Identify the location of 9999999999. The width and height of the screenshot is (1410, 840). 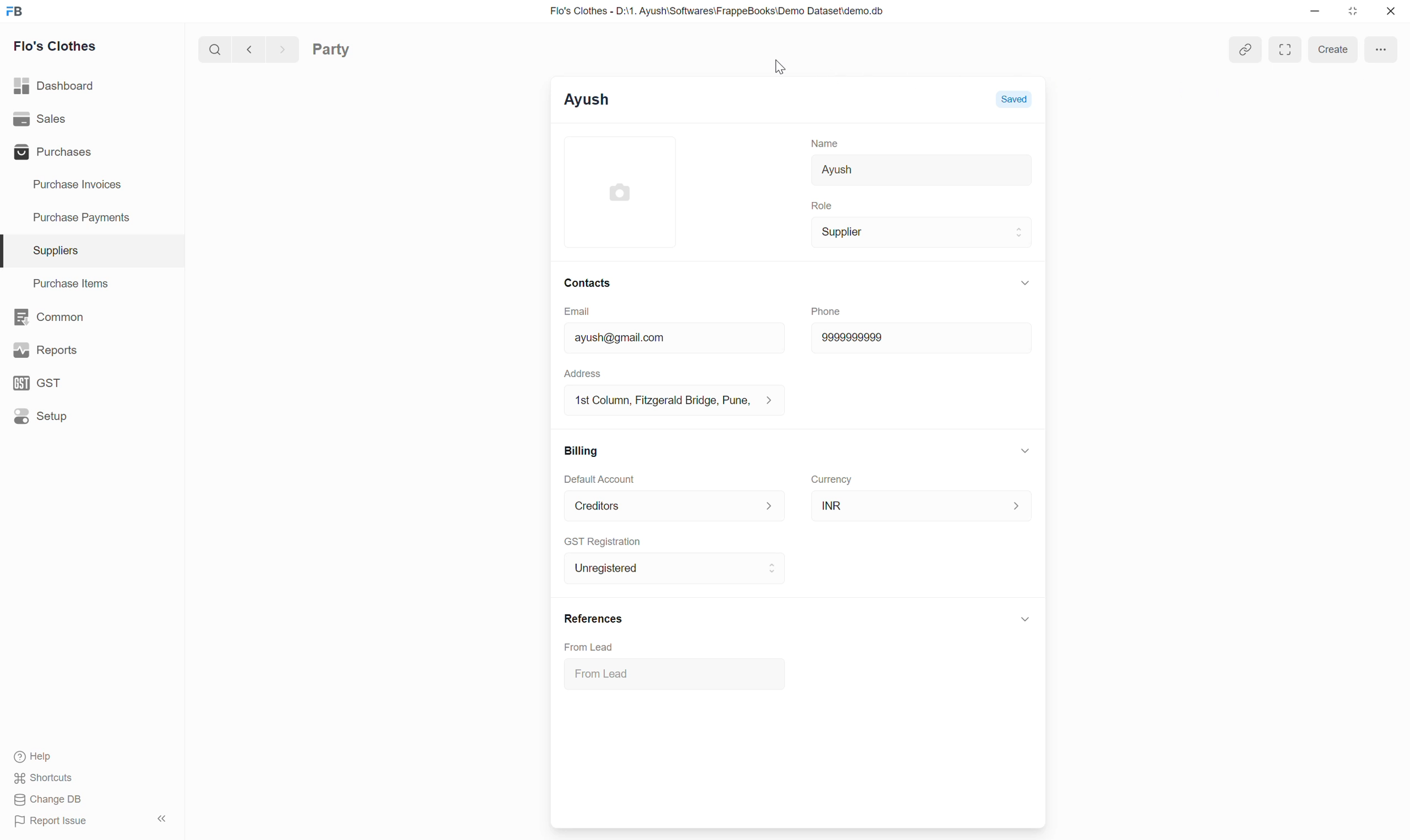
(921, 338).